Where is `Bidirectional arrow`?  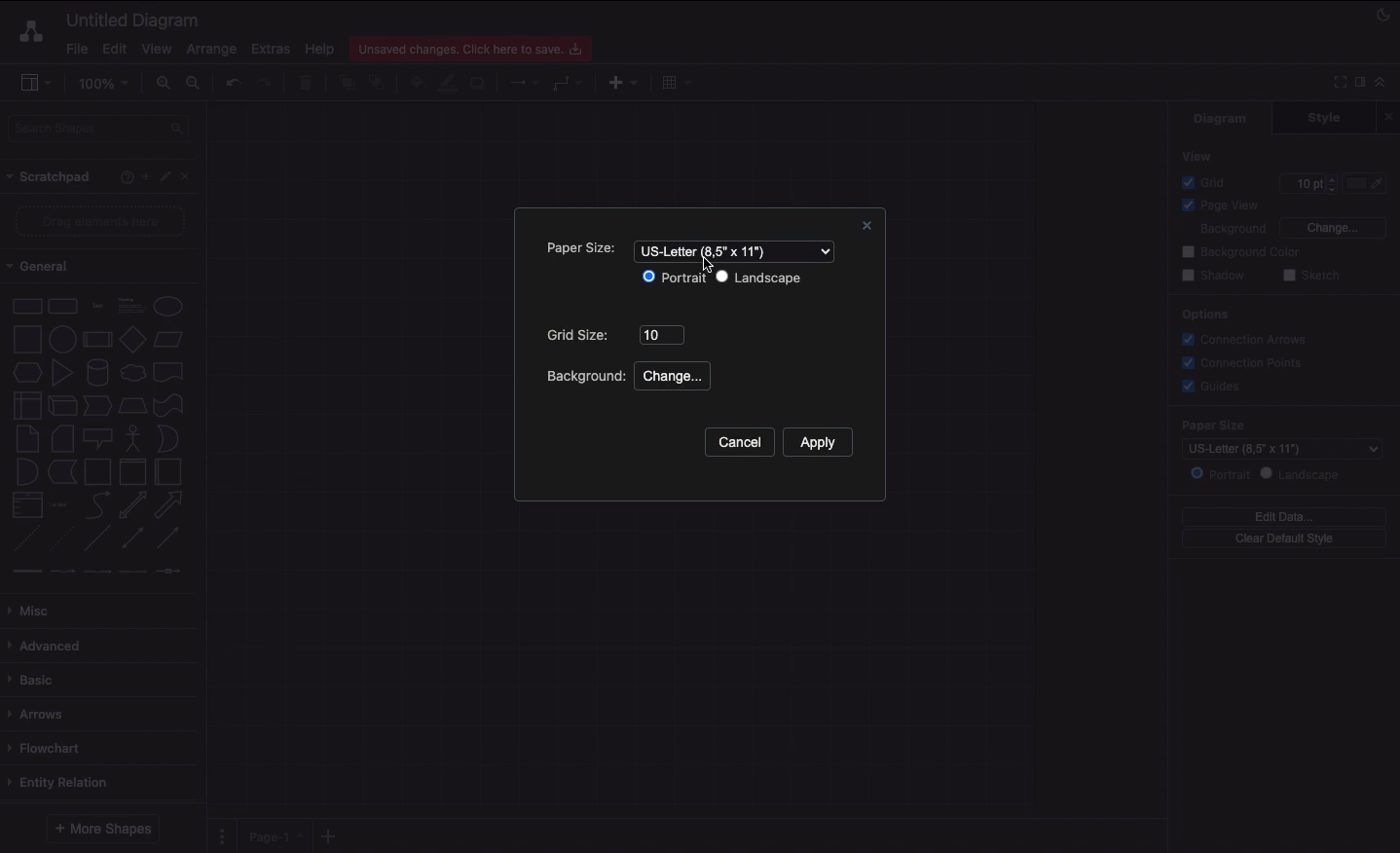 Bidirectional arrow is located at coordinates (132, 504).